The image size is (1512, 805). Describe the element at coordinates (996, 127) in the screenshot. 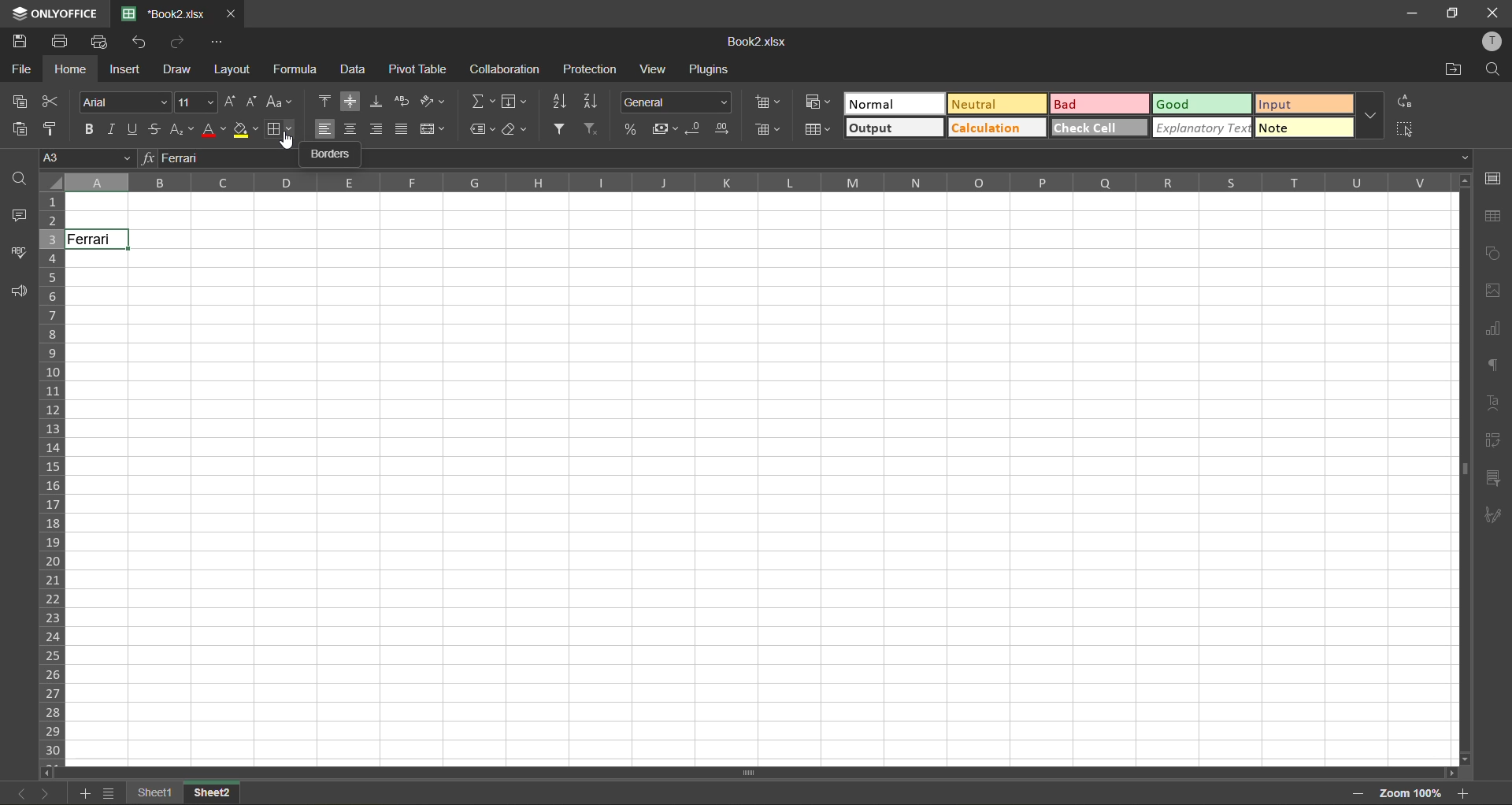

I see `calculation` at that location.